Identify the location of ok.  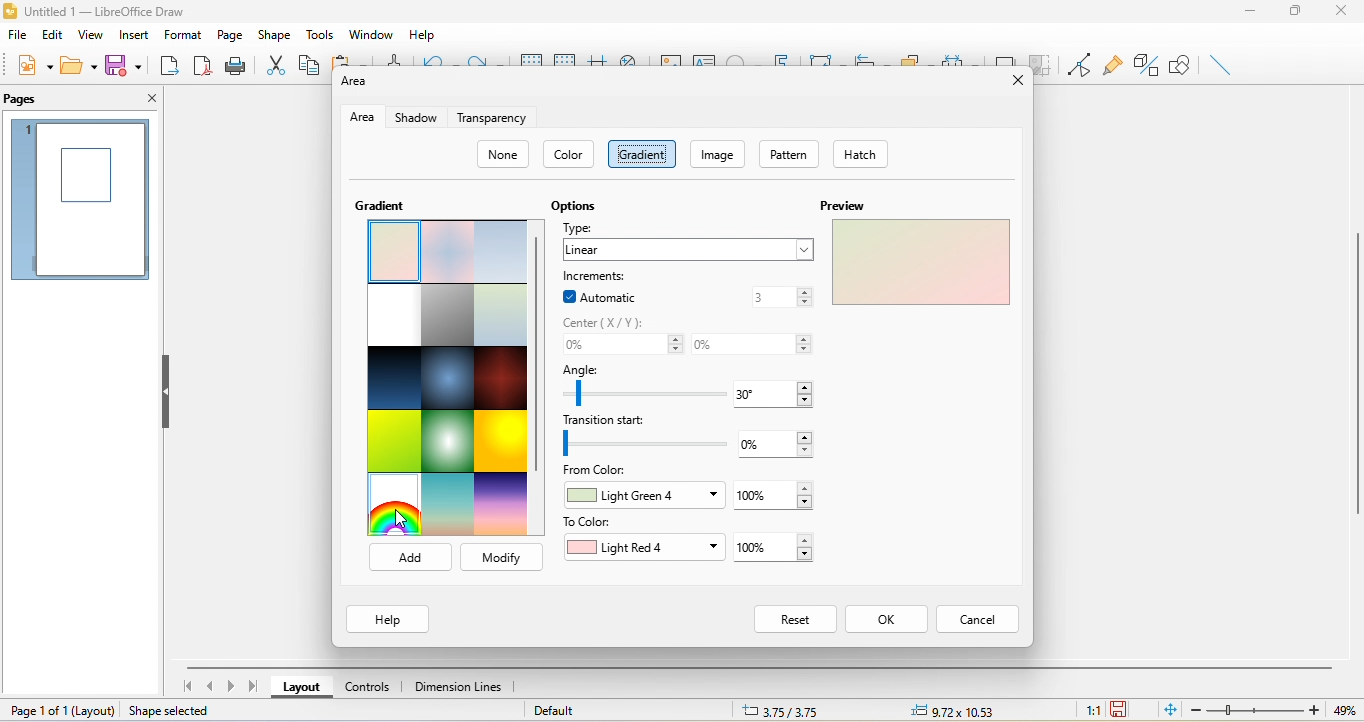
(892, 620).